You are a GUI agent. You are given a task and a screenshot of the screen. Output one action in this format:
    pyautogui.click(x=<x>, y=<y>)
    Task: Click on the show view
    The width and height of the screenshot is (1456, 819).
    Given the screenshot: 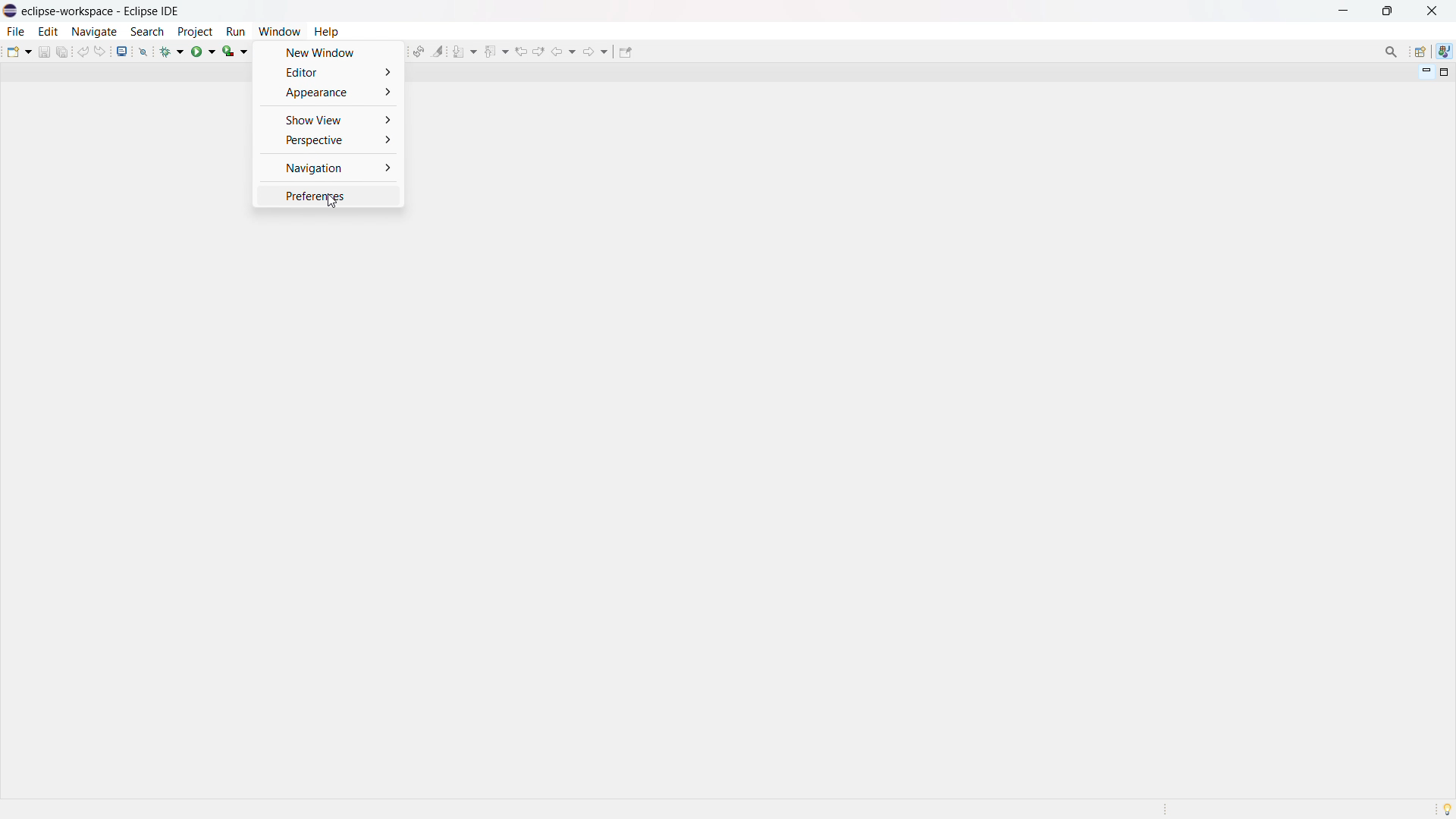 What is the action you would take?
    pyautogui.click(x=329, y=119)
    